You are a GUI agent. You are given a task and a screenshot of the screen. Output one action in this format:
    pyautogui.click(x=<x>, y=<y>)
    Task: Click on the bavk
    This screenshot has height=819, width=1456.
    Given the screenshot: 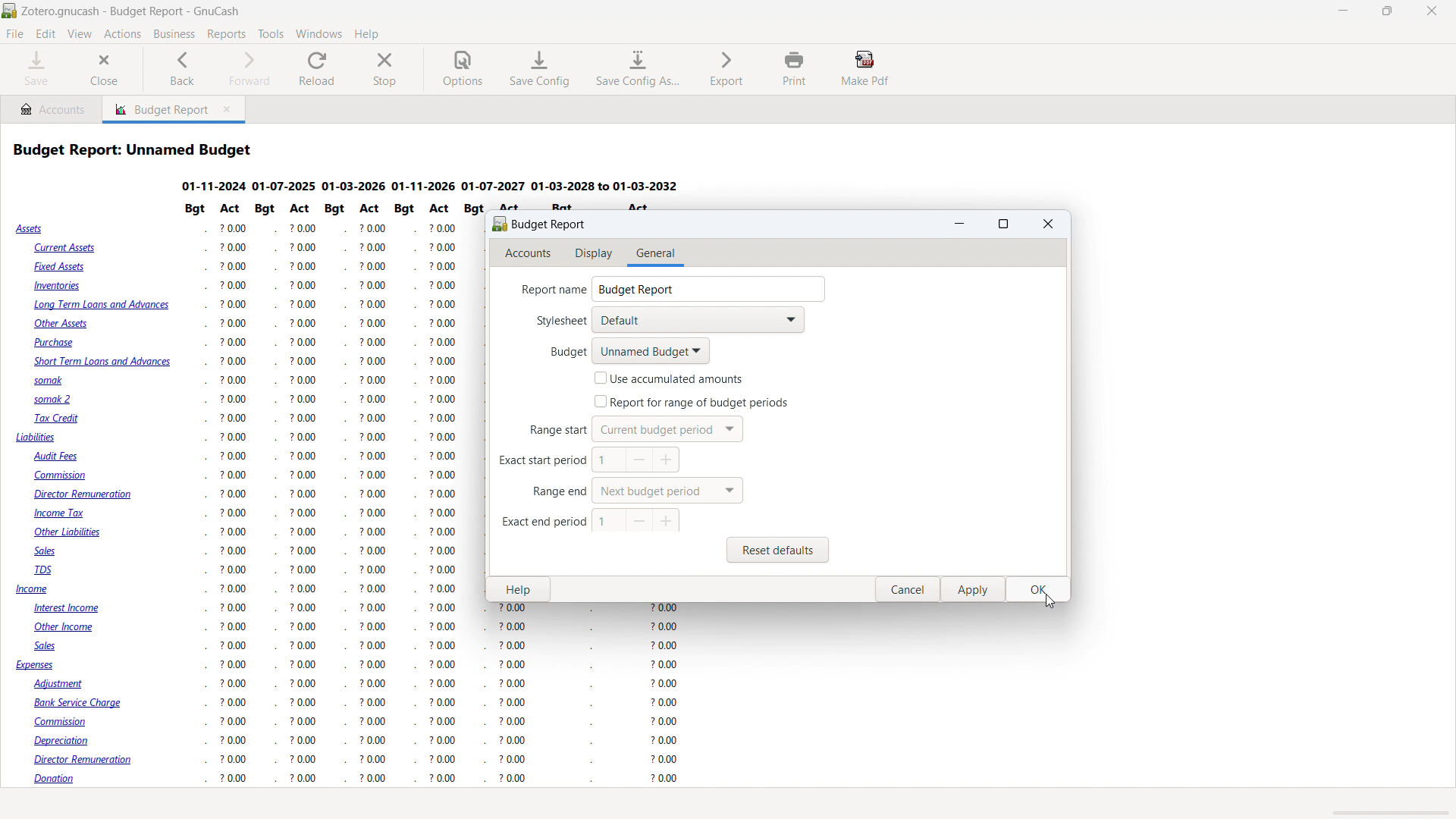 What is the action you would take?
    pyautogui.click(x=183, y=69)
    